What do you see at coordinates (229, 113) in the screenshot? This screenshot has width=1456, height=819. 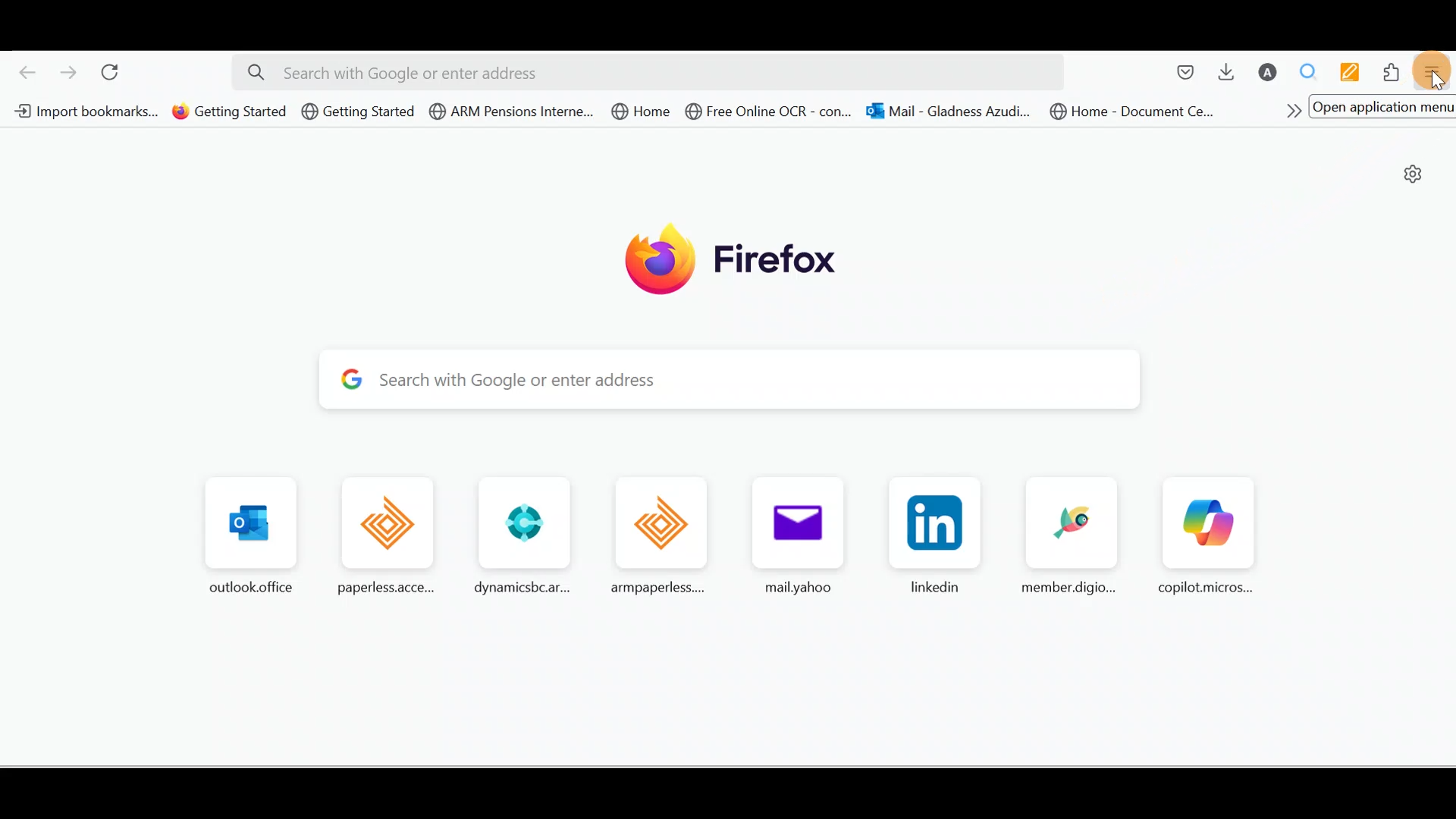 I see `Bookmark 2` at bounding box center [229, 113].